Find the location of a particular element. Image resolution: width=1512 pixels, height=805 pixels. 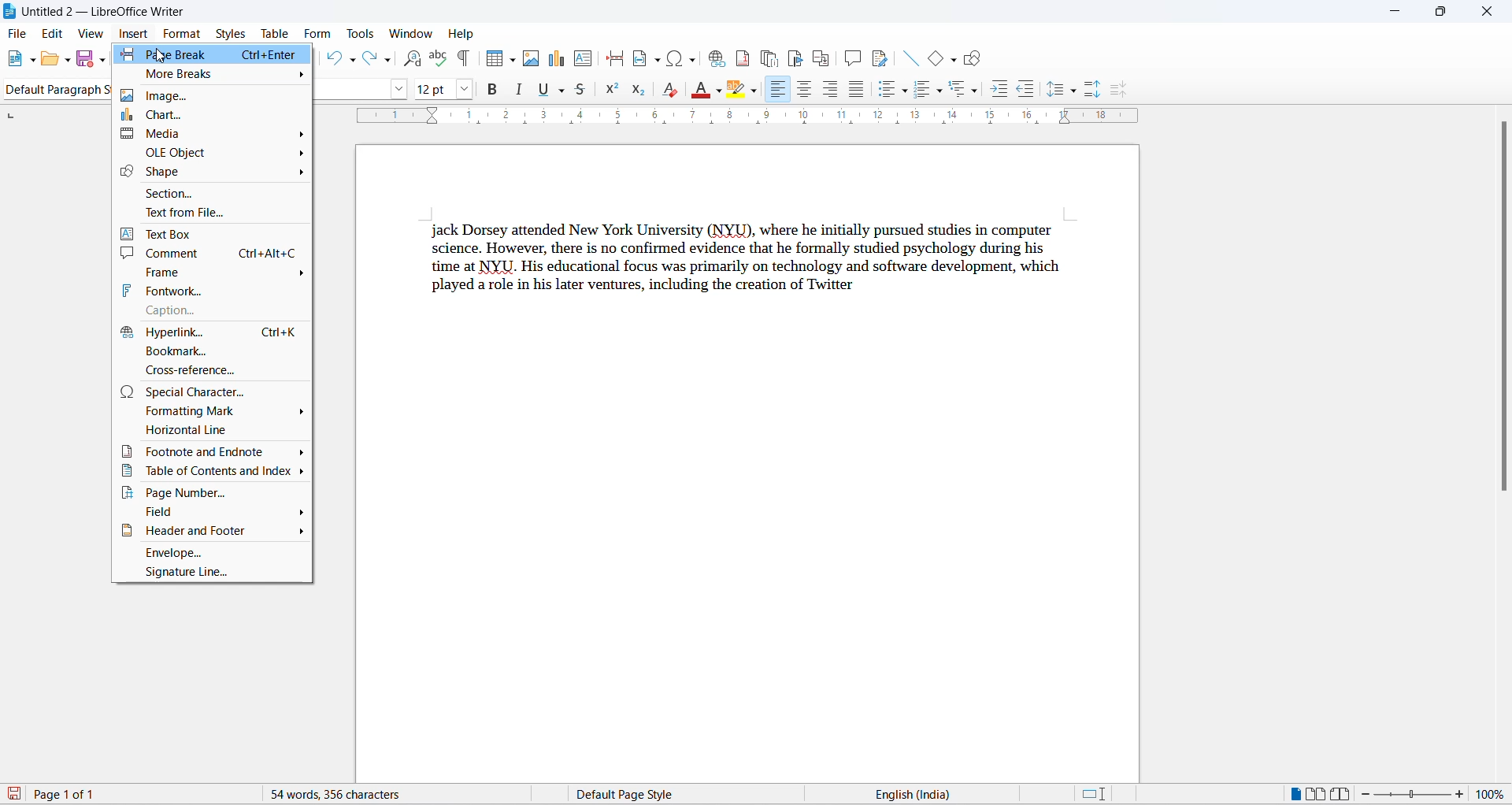

insert filed is located at coordinates (646, 58).